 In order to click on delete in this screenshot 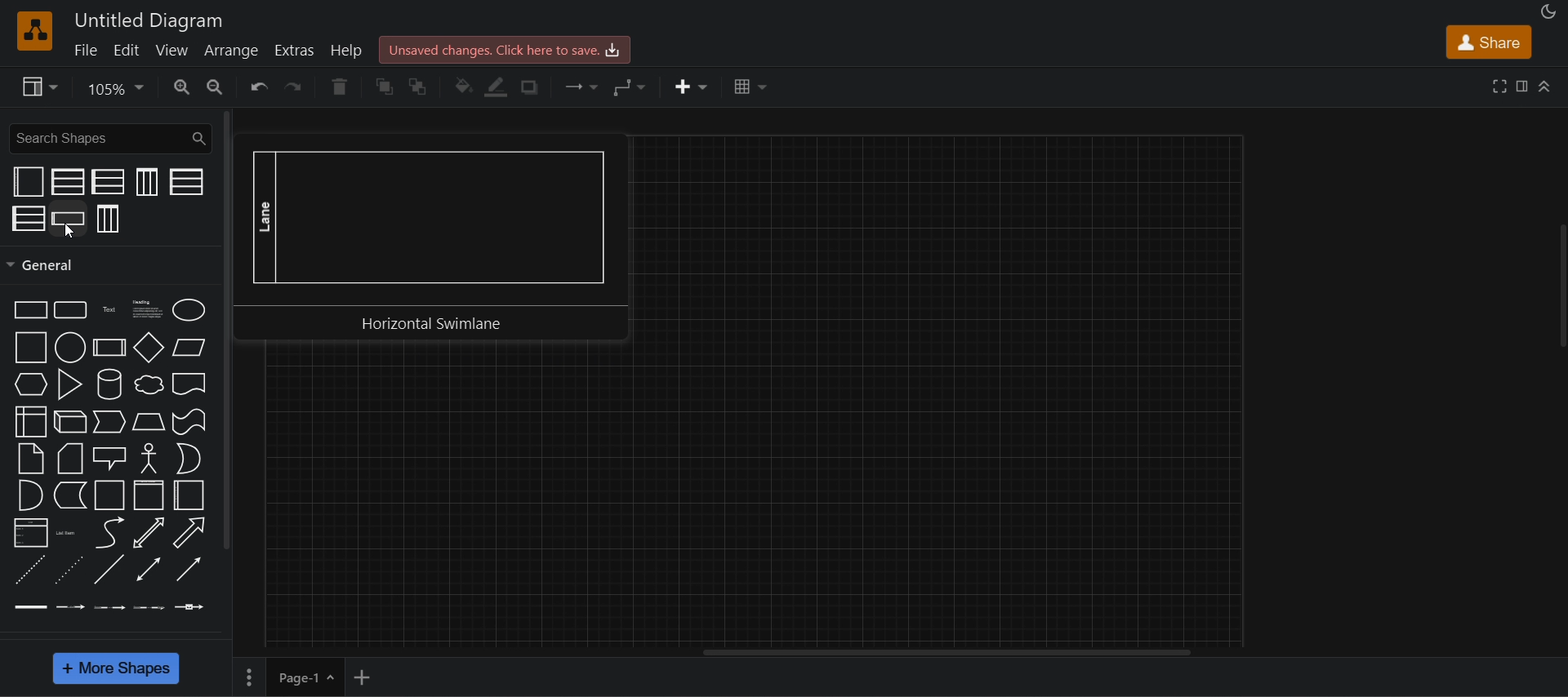, I will do `click(341, 87)`.